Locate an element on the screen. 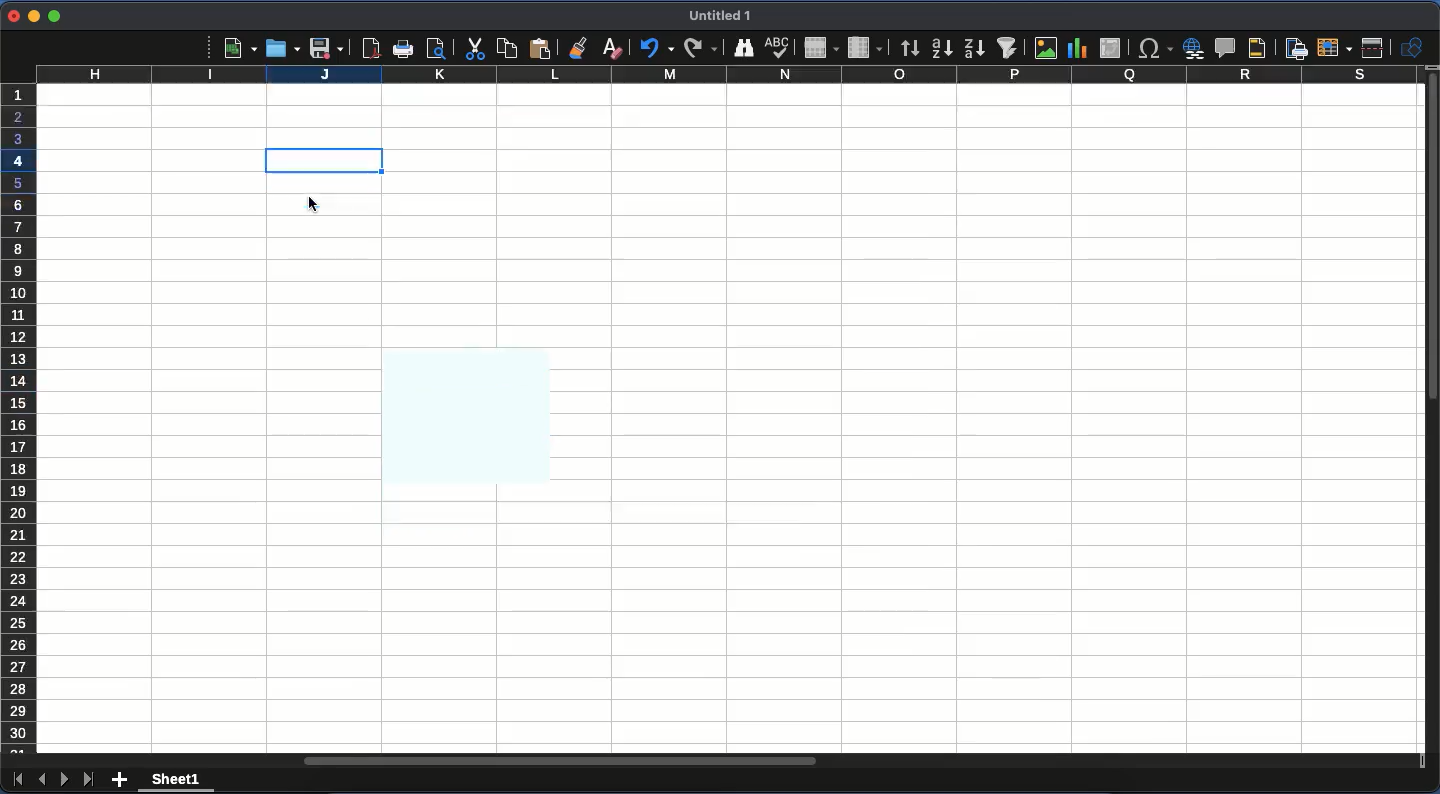 The height and width of the screenshot is (794, 1440). last sheet is located at coordinates (90, 780).